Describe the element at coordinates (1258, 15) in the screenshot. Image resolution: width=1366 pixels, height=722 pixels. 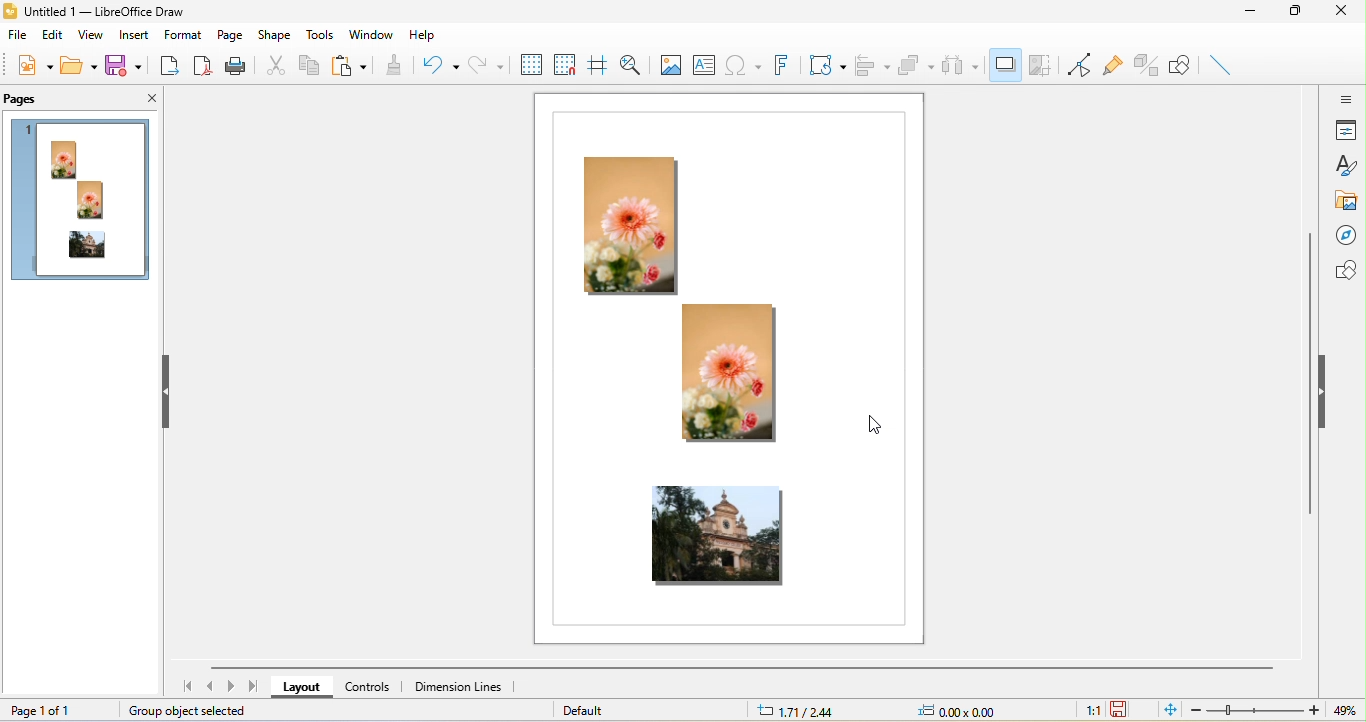
I see `minimize` at that location.